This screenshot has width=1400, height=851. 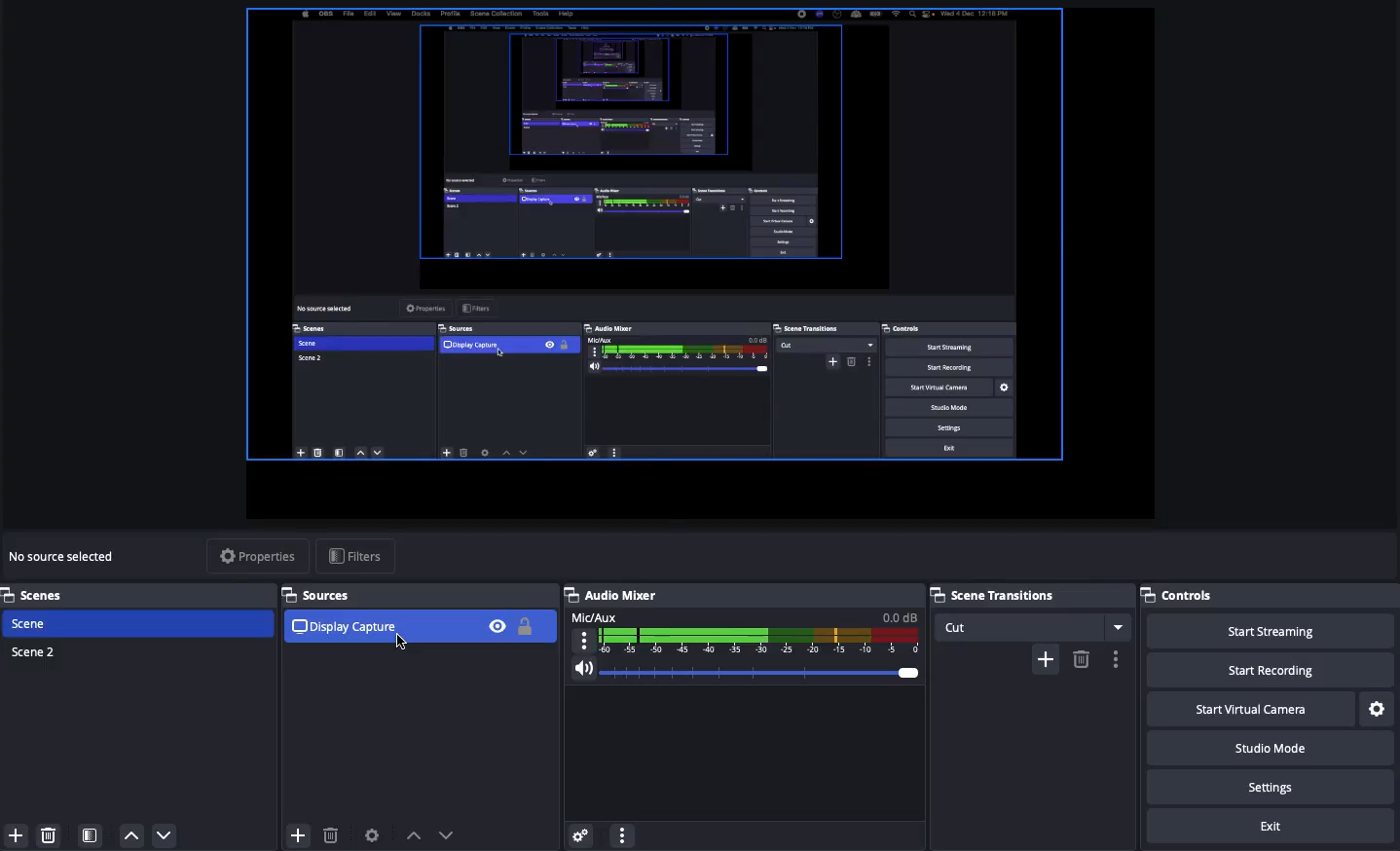 I want to click on Mic aux, so click(x=746, y=630).